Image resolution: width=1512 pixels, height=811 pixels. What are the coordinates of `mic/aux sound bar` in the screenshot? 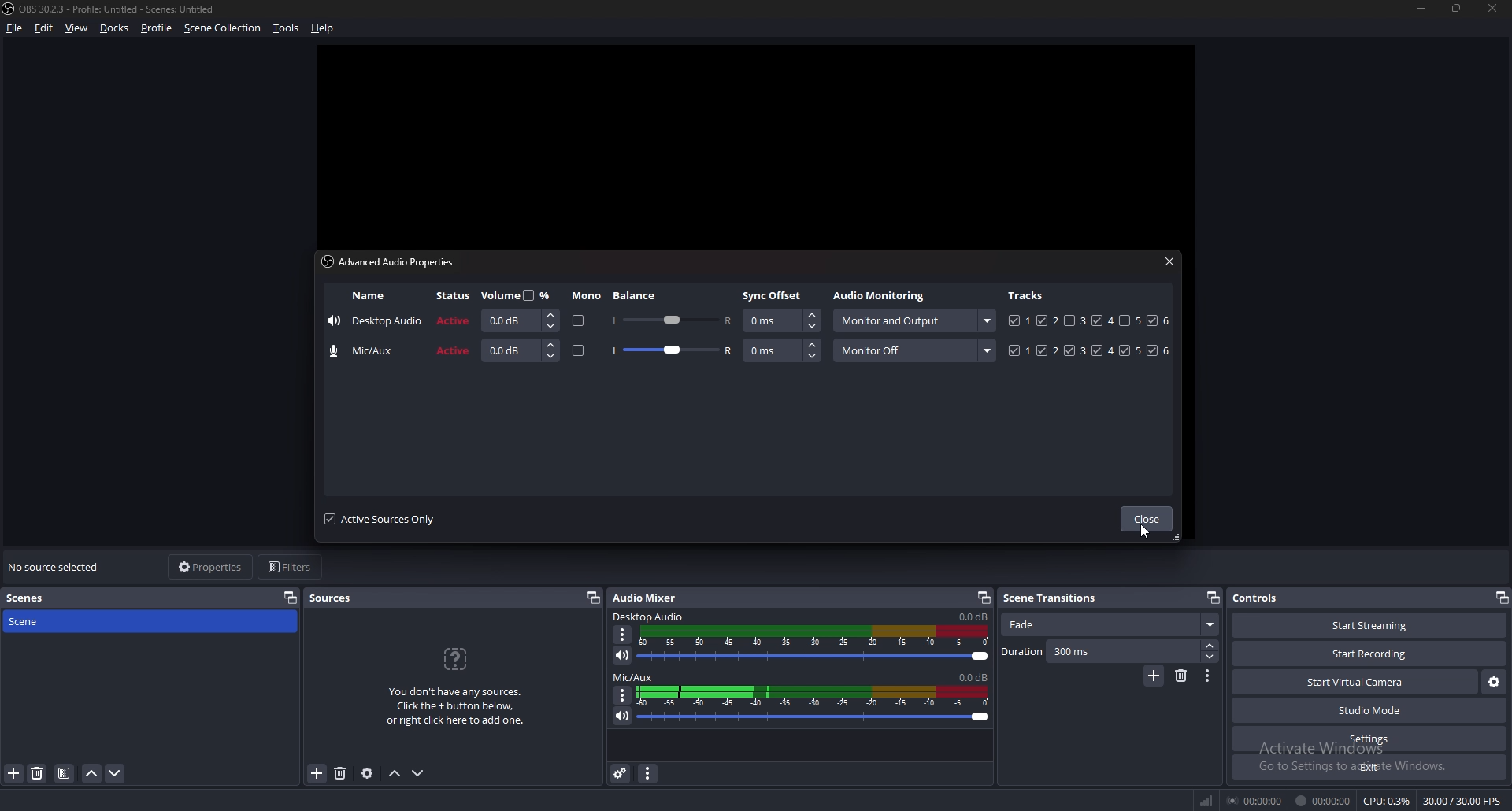 It's located at (813, 703).